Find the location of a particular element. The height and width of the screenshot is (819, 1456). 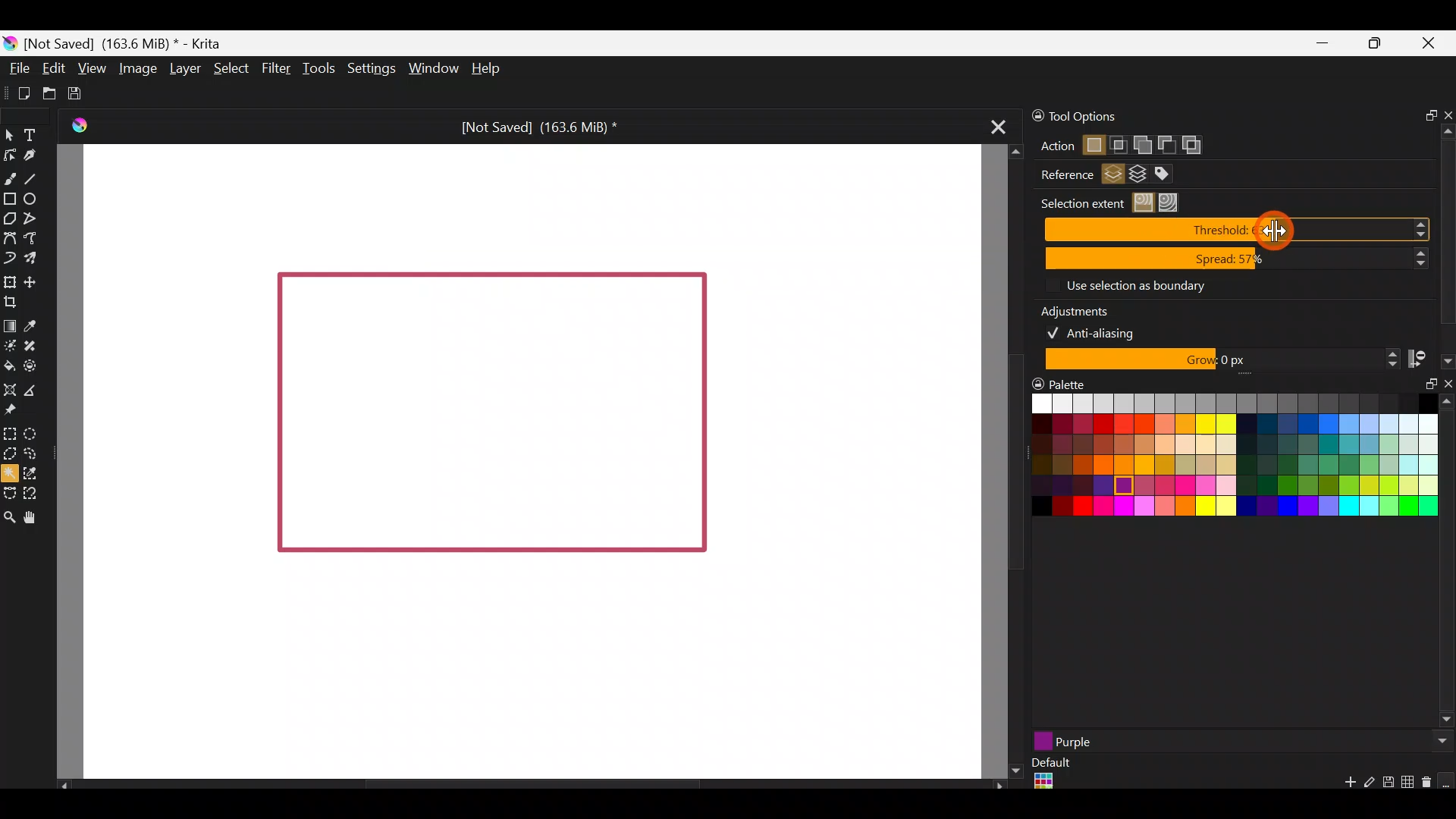

Scroll bar is located at coordinates (1005, 462).